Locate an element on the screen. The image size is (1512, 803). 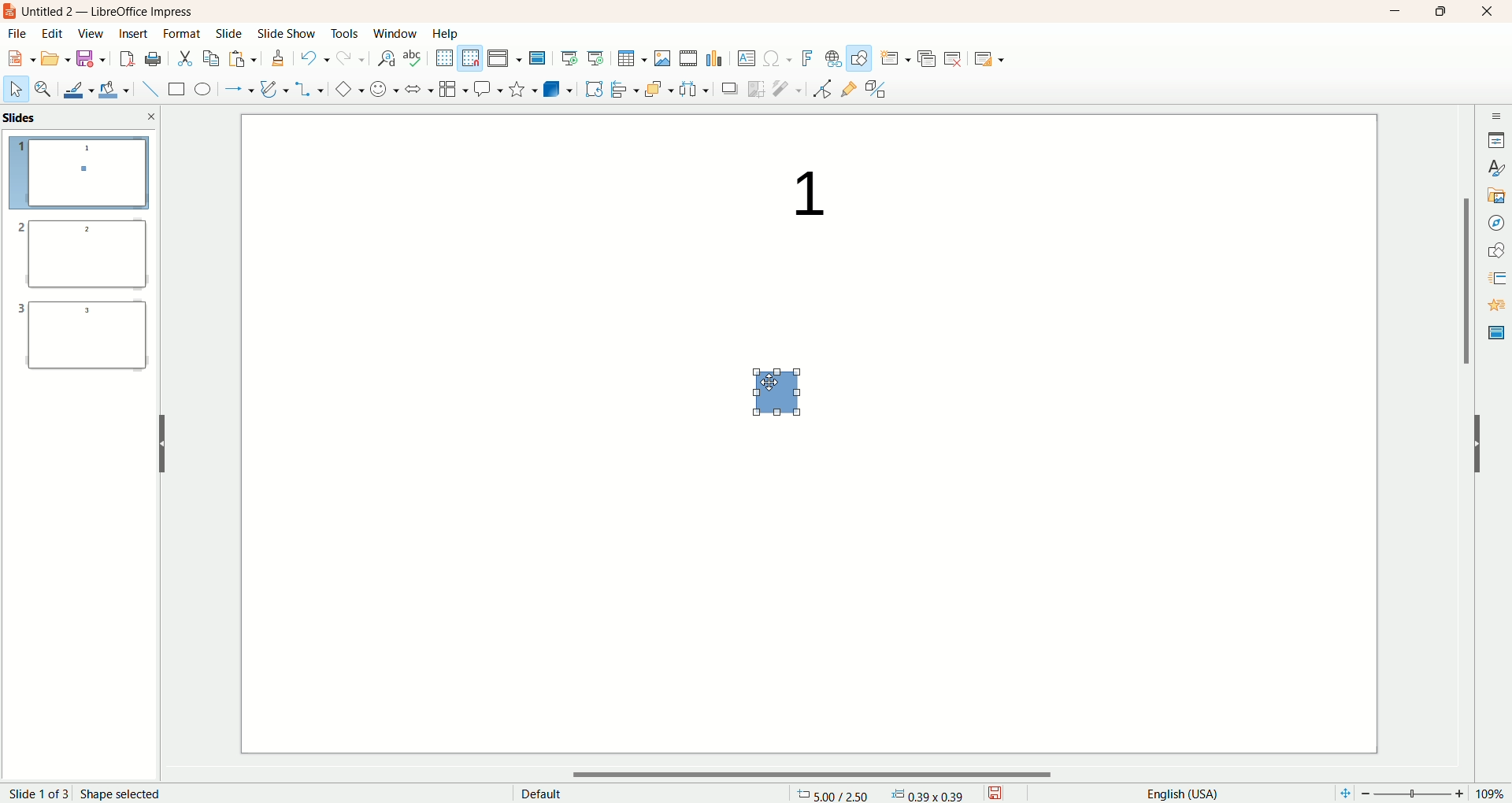
textbox is located at coordinates (746, 58).